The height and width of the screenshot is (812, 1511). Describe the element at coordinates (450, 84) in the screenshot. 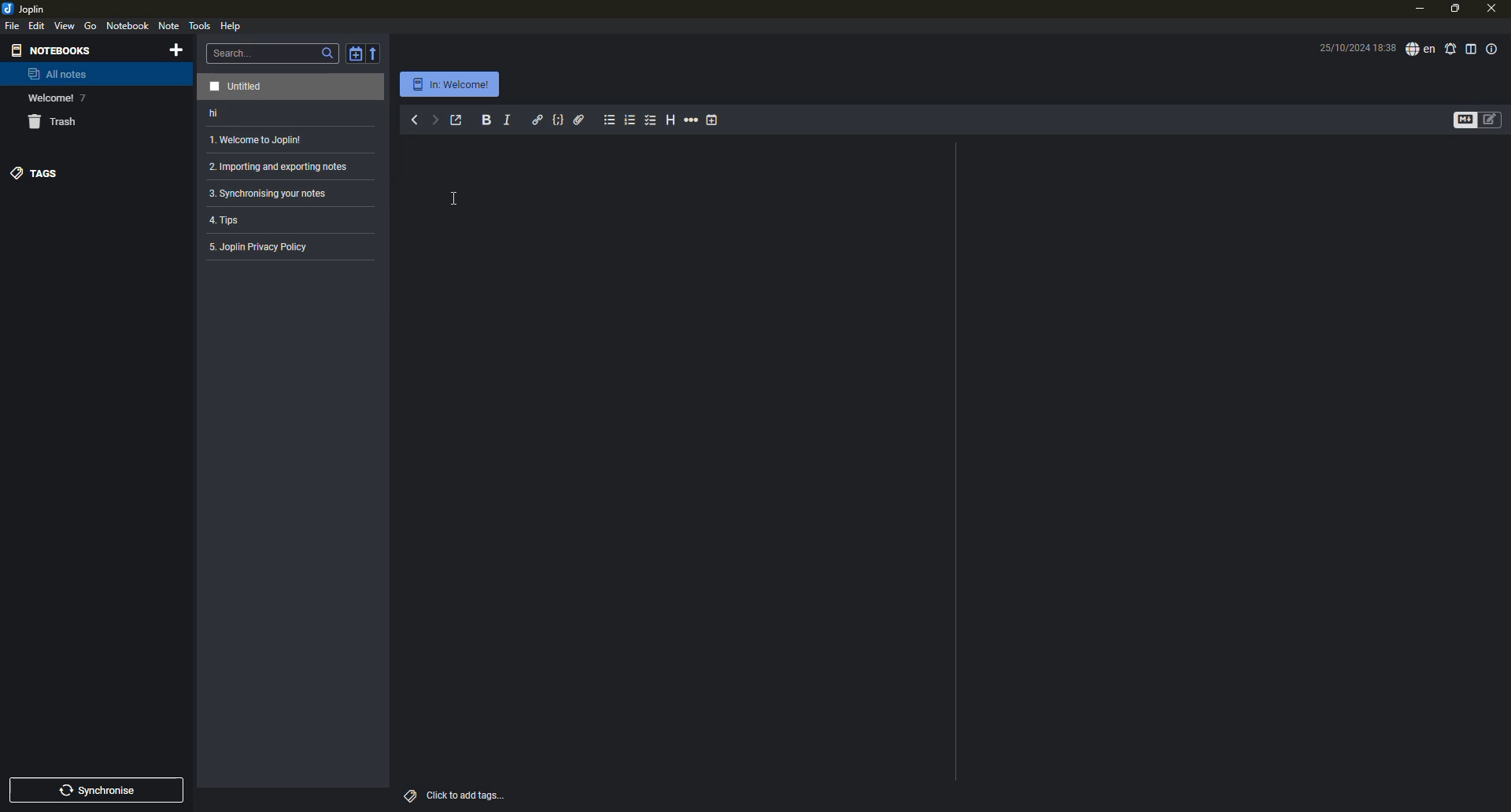

I see `In: Welcome!` at that location.